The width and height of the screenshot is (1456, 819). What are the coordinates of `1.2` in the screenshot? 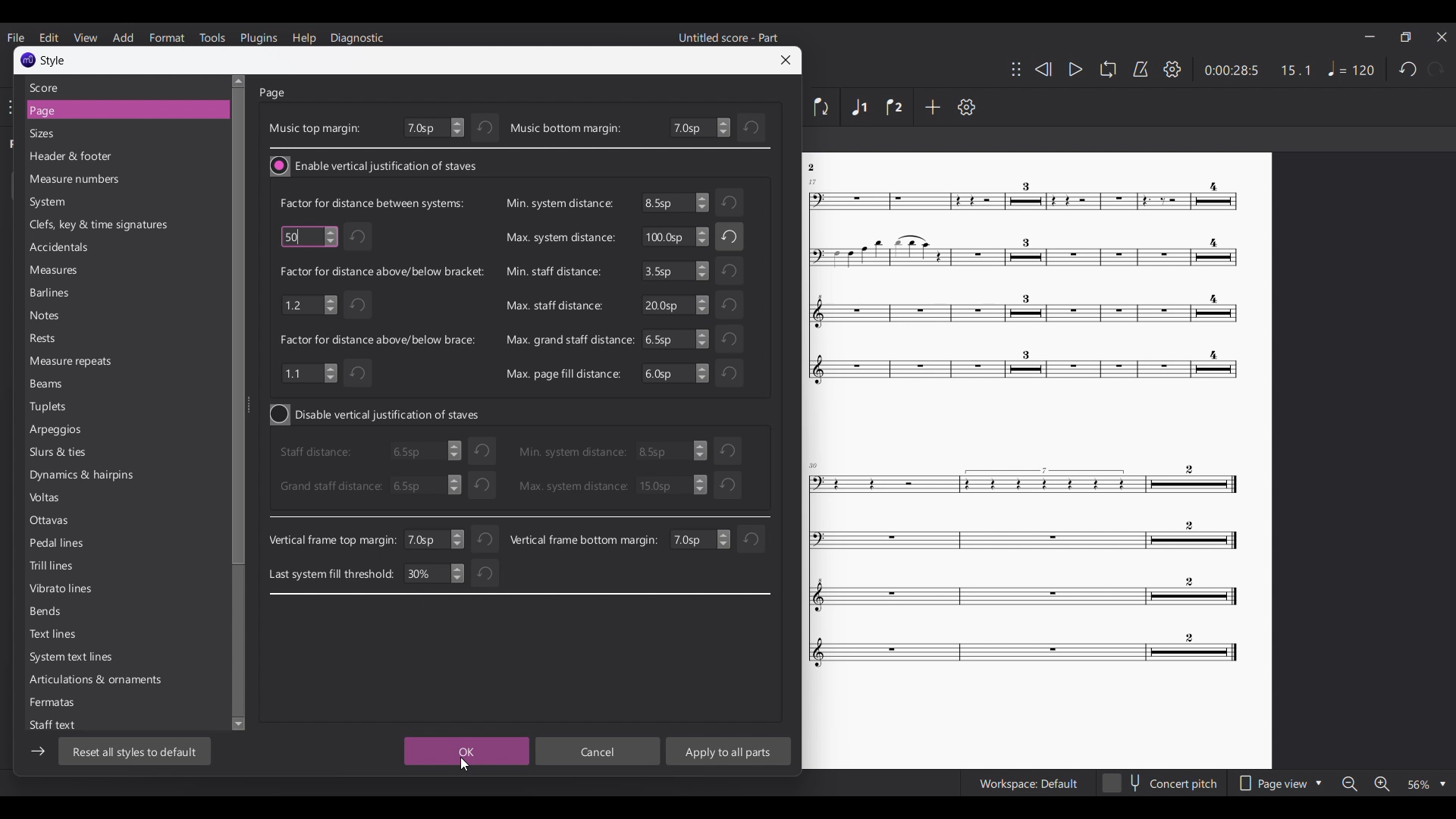 It's located at (308, 303).